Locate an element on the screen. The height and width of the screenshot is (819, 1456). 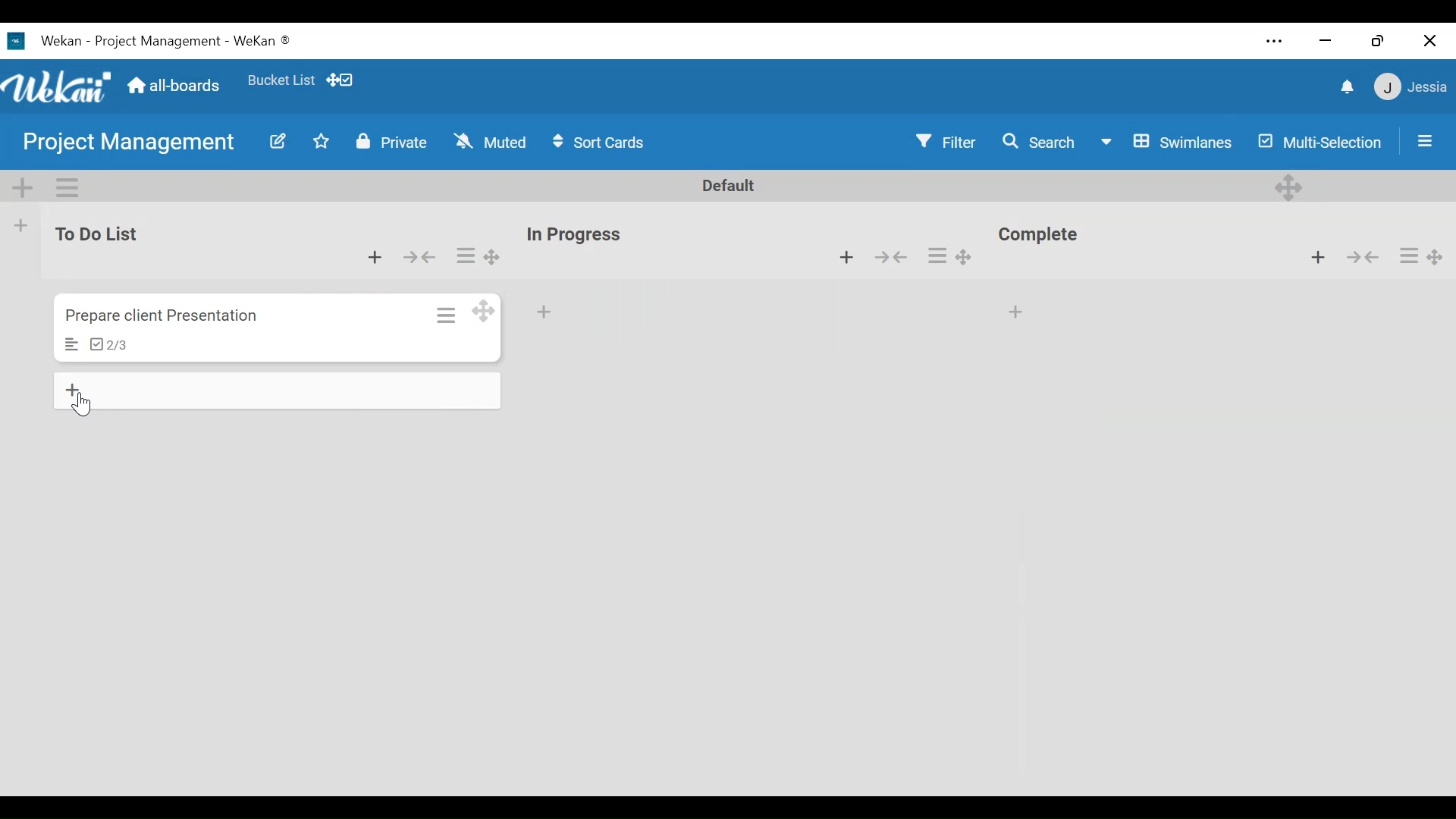
Muted is located at coordinates (490, 142).